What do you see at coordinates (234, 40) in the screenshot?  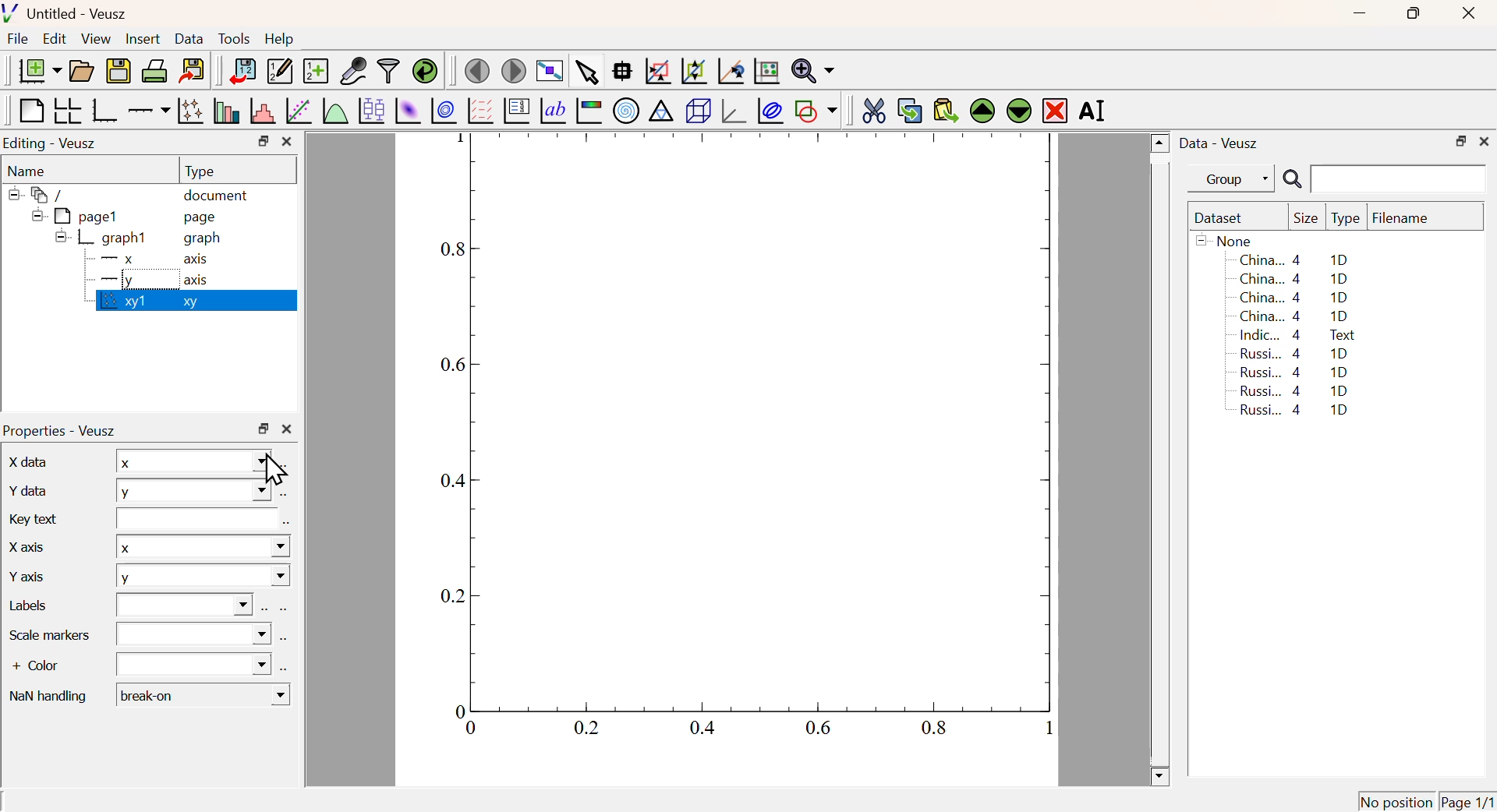 I see `Tools` at bounding box center [234, 40].